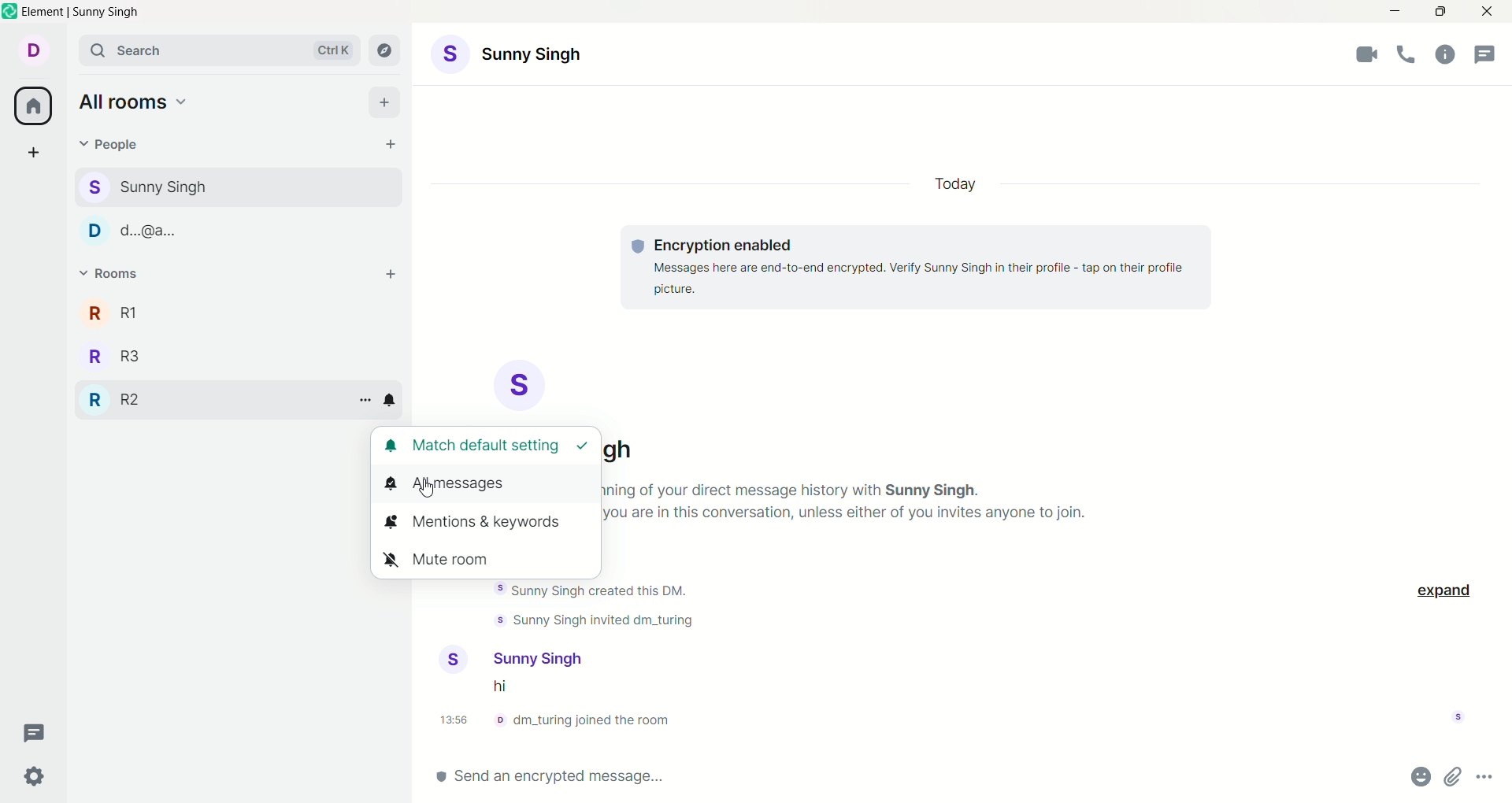 The image size is (1512, 803). What do you see at coordinates (34, 773) in the screenshot?
I see `settings` at bounding box center [34, 773].